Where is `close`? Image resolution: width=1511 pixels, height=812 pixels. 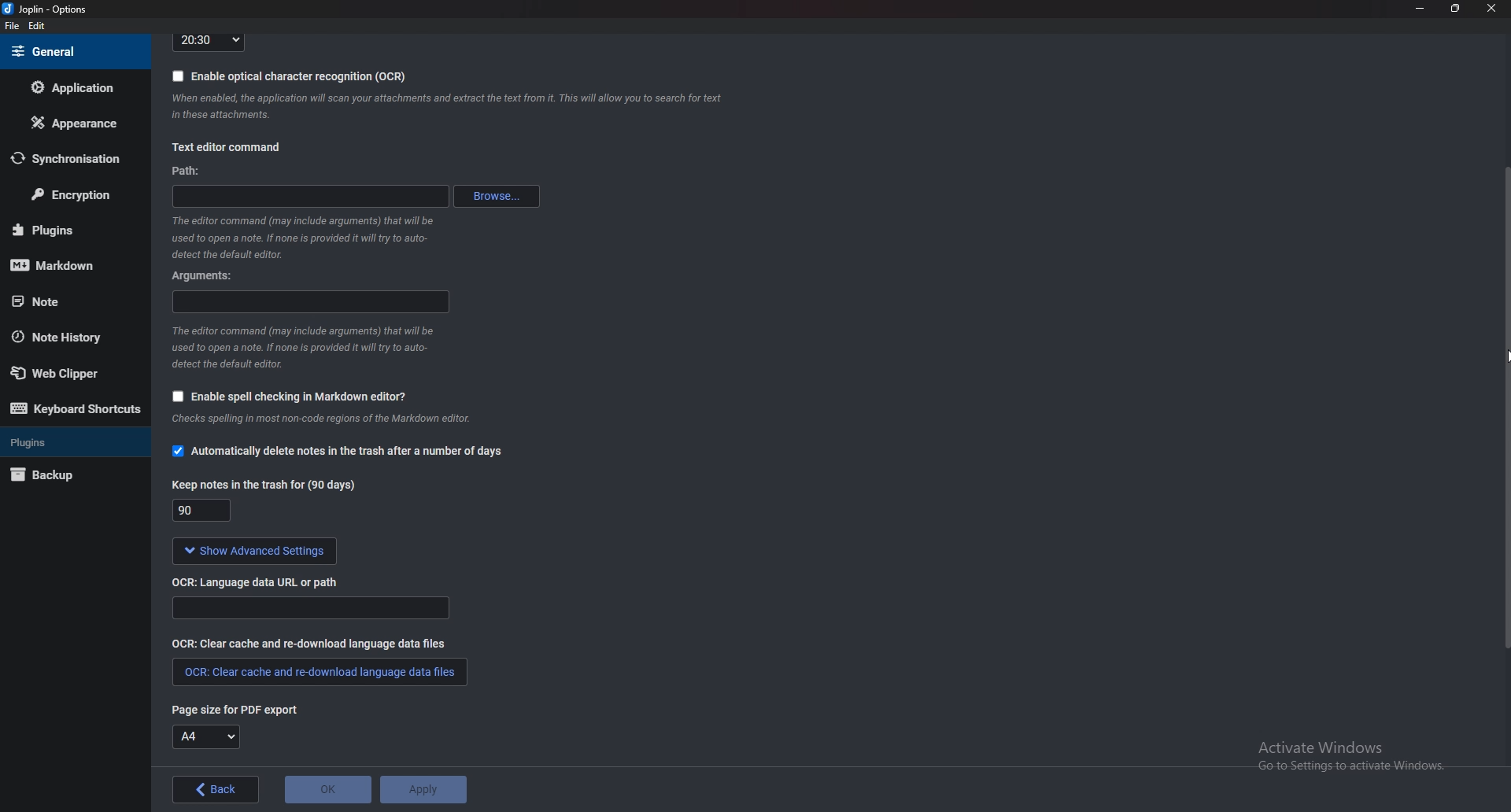
close is located at coordinates (1489, 8).